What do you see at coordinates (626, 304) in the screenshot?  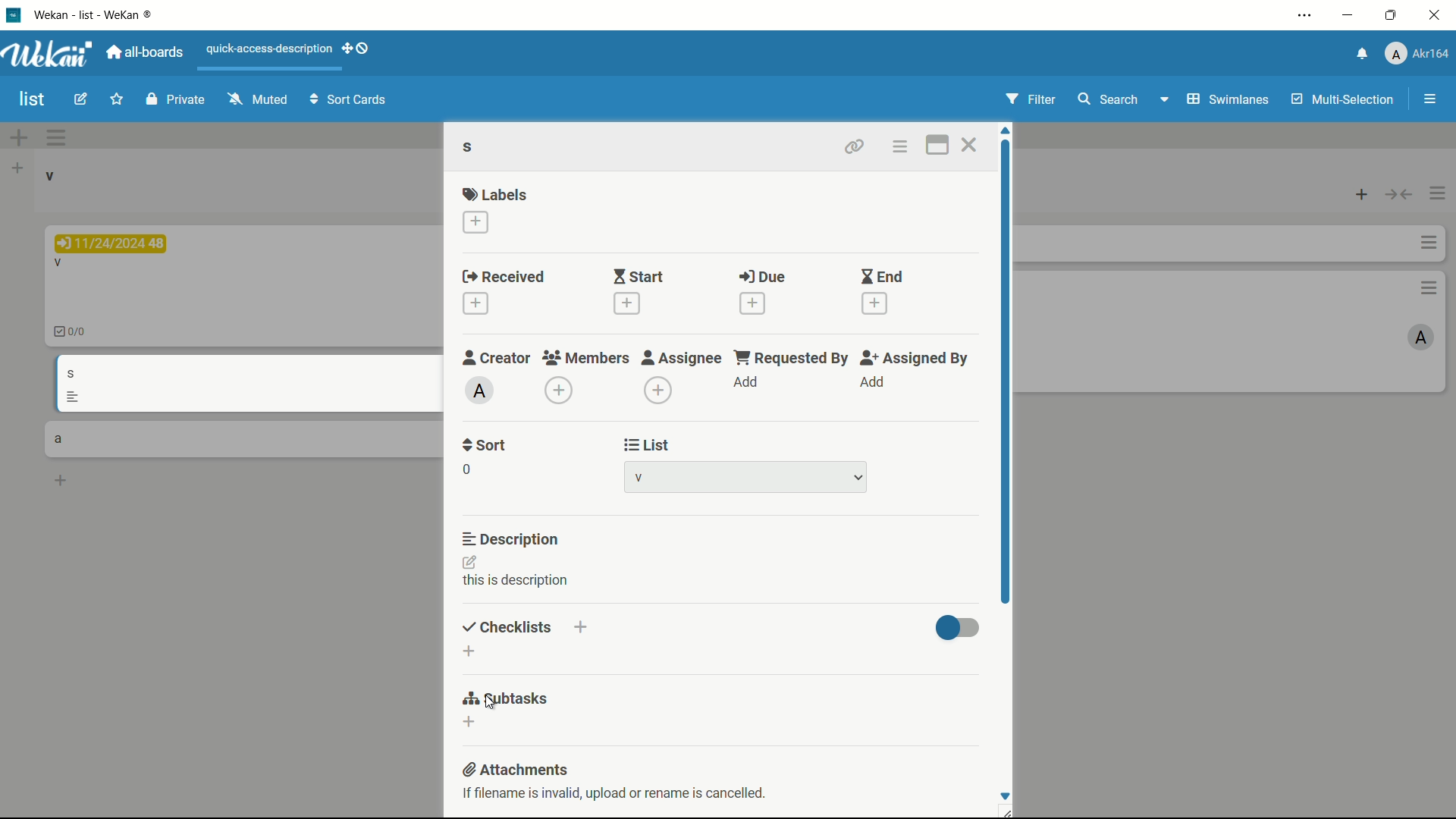 I see `add start date` at bounding box center [626, 304].